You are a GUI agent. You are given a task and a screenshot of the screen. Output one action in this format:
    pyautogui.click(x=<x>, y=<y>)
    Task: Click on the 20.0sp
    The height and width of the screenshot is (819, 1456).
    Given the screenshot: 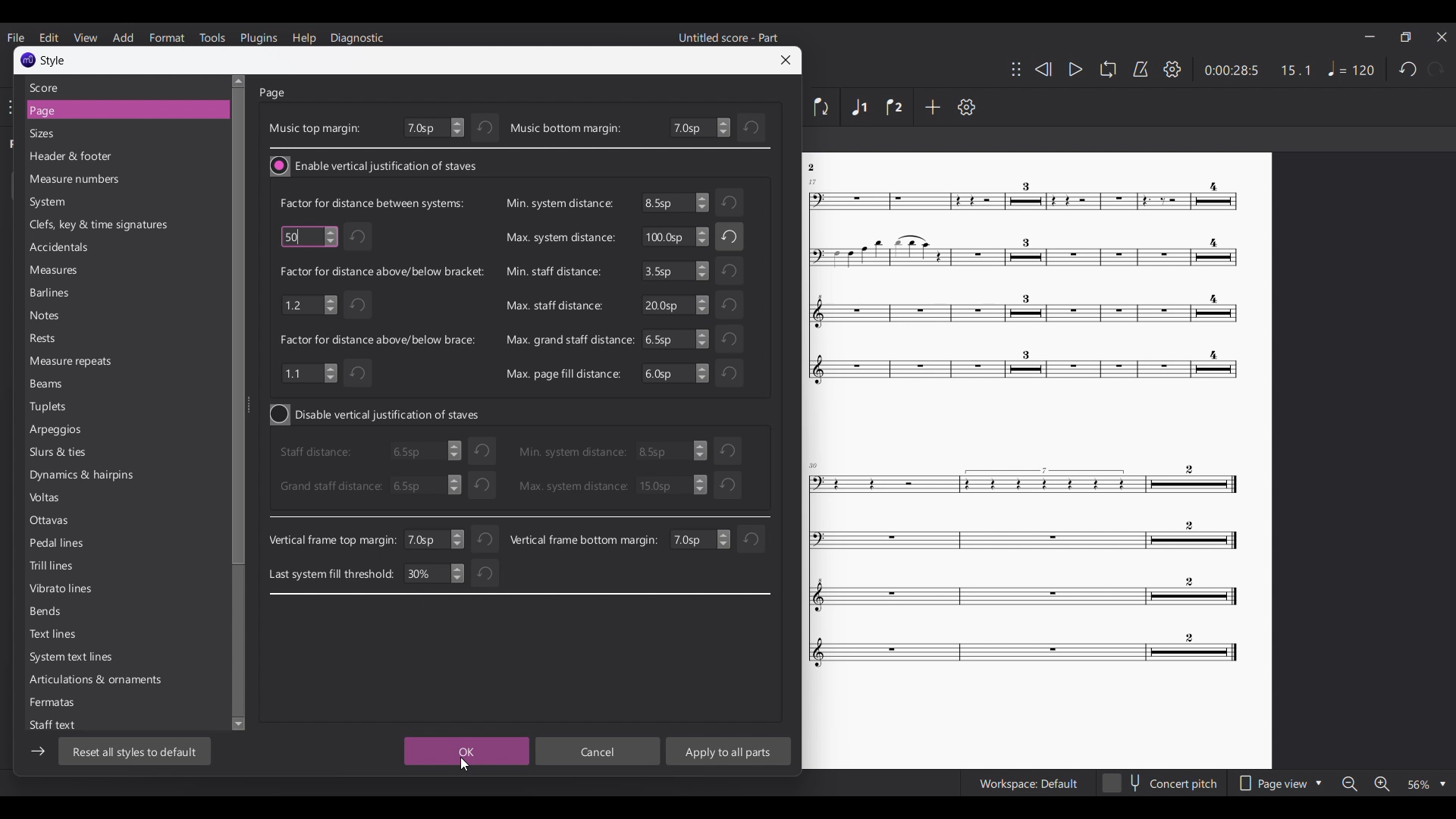 What is the action you would take?
    pyautogui.click(x=674, y=305)
    